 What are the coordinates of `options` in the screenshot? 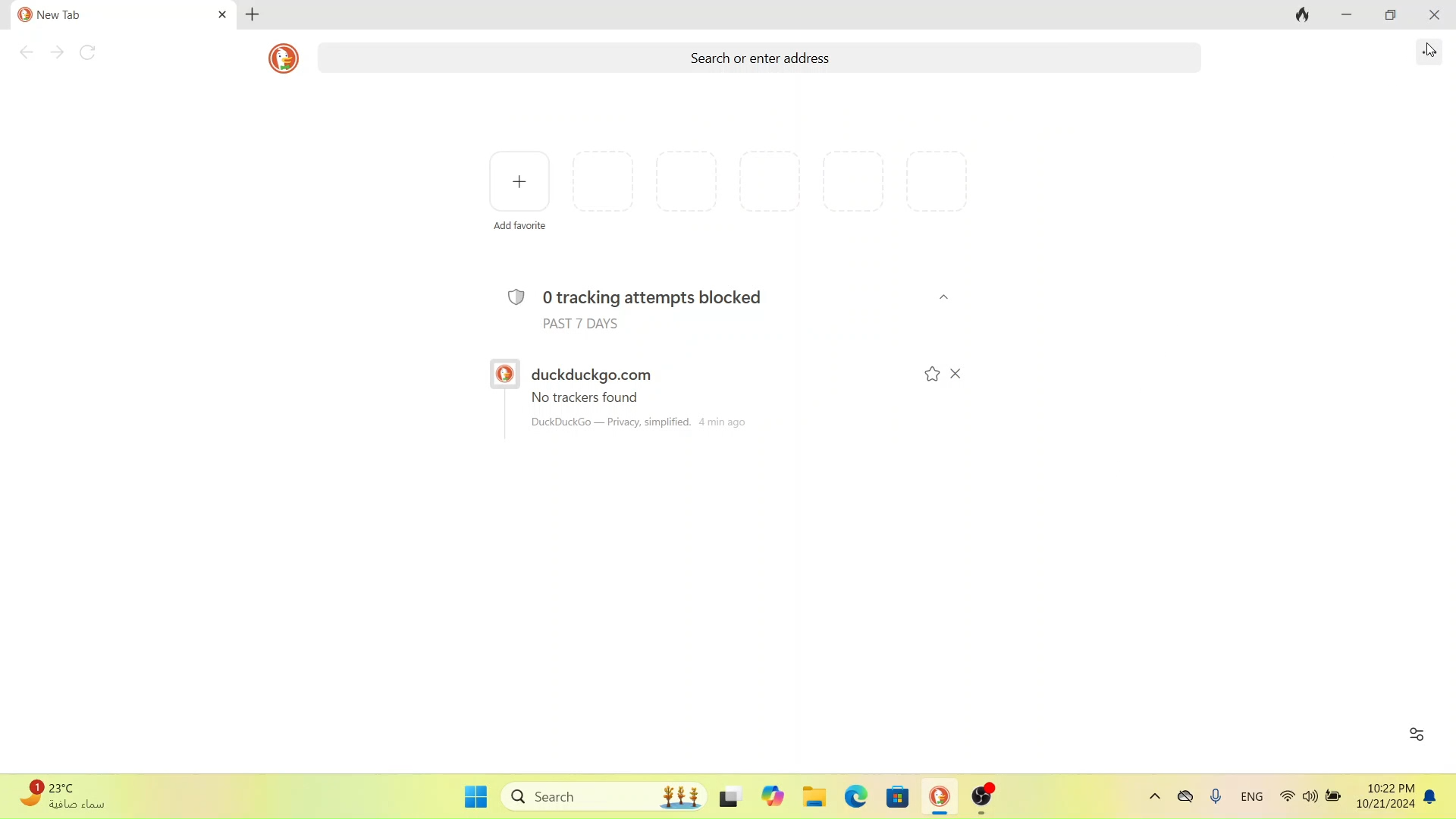 It's located at (1429, 51).